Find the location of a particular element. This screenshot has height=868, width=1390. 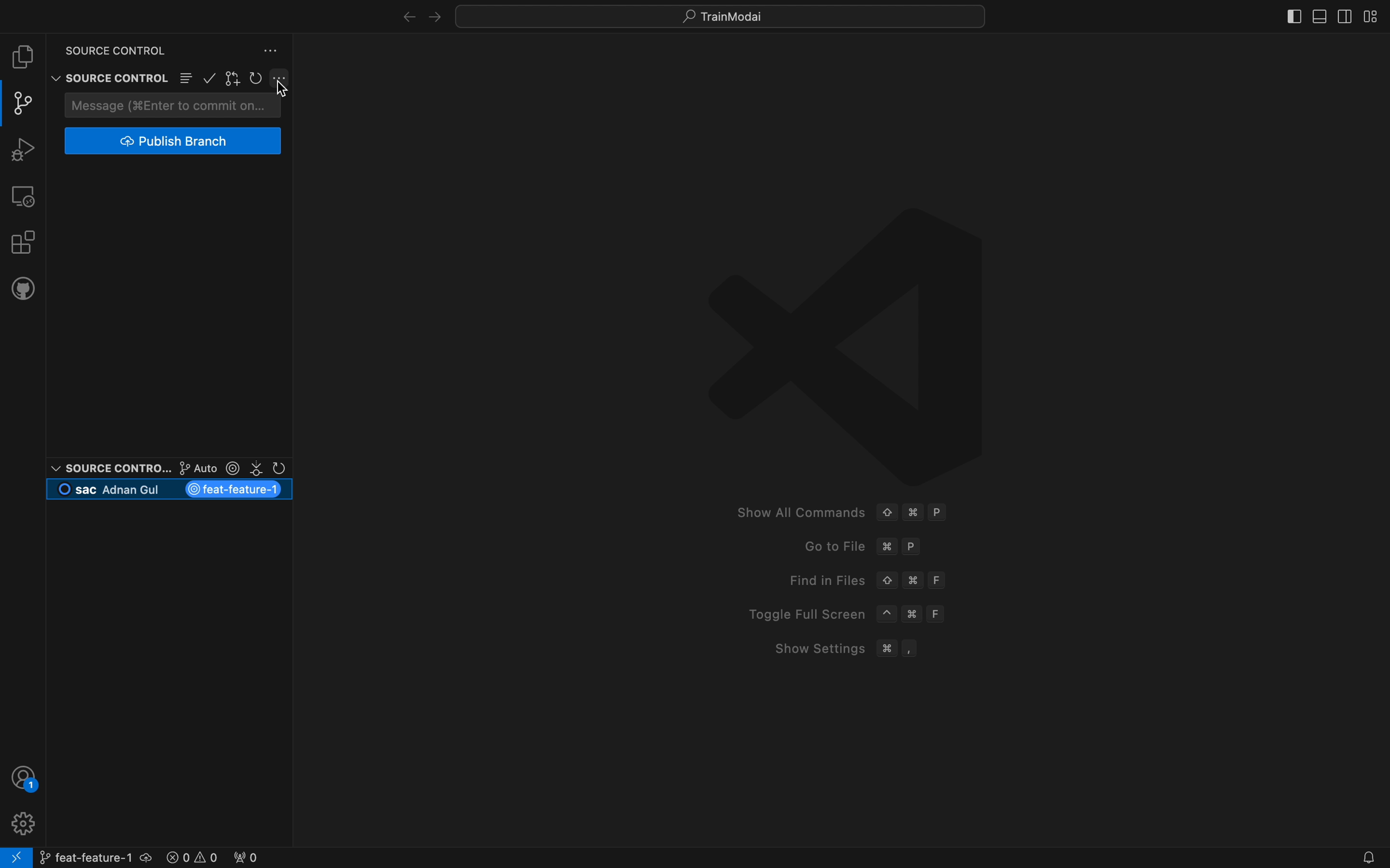

remote connect is located at coordinates (16, 858).